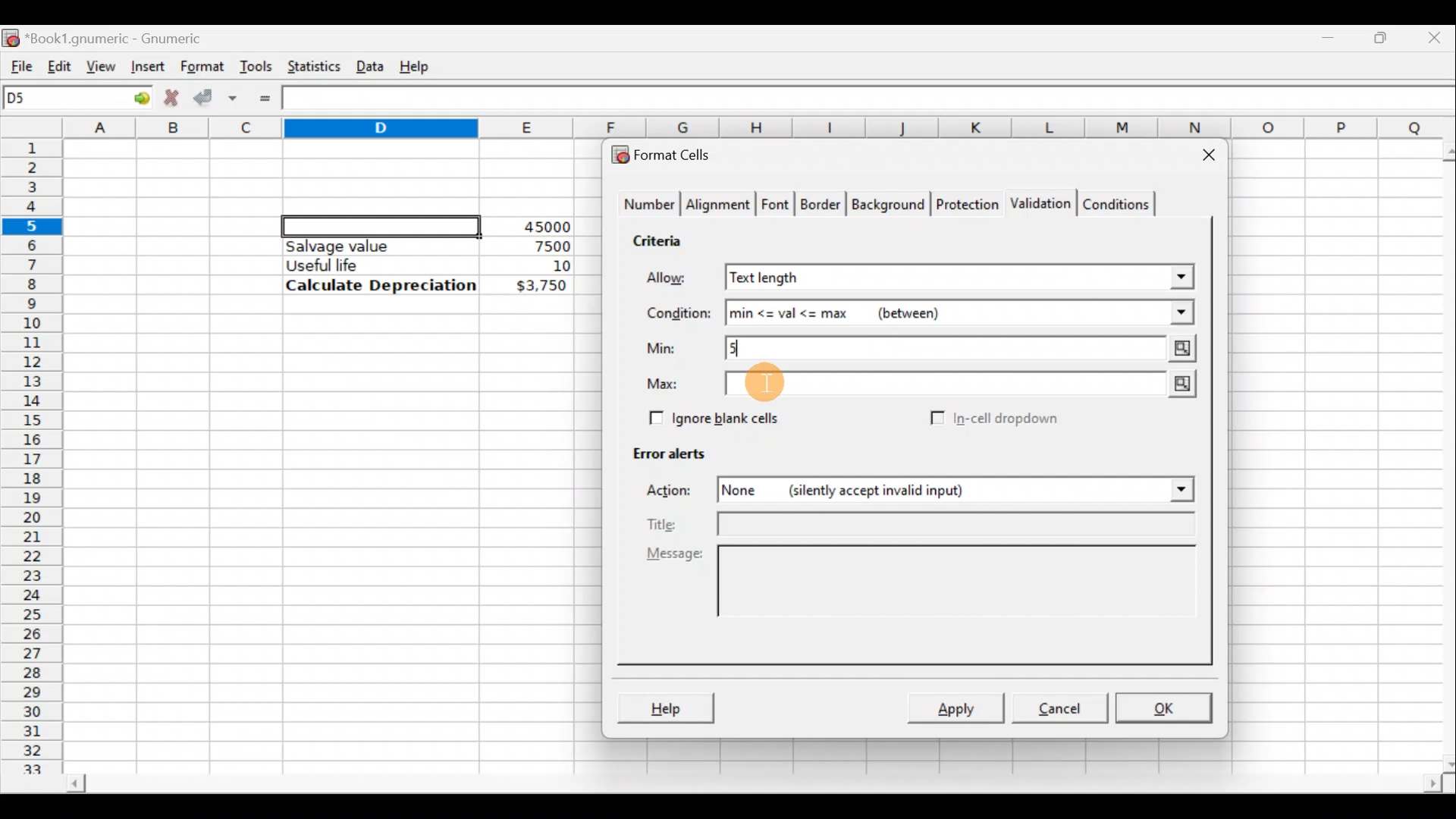  I want to click on Cell name D5, so click(59, 99).